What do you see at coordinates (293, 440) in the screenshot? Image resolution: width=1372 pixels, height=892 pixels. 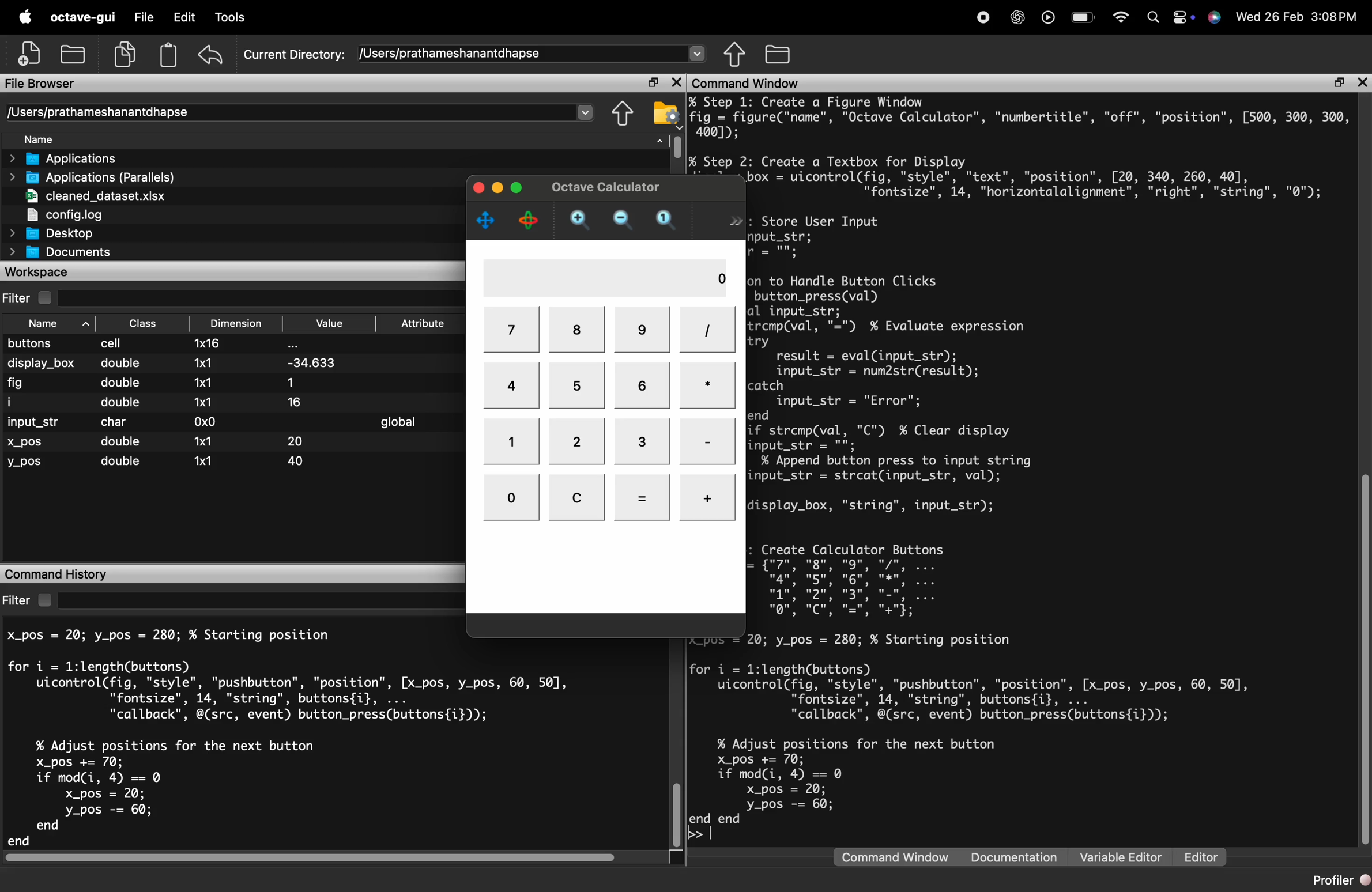 I see `20` at bounding box center [293, 440].